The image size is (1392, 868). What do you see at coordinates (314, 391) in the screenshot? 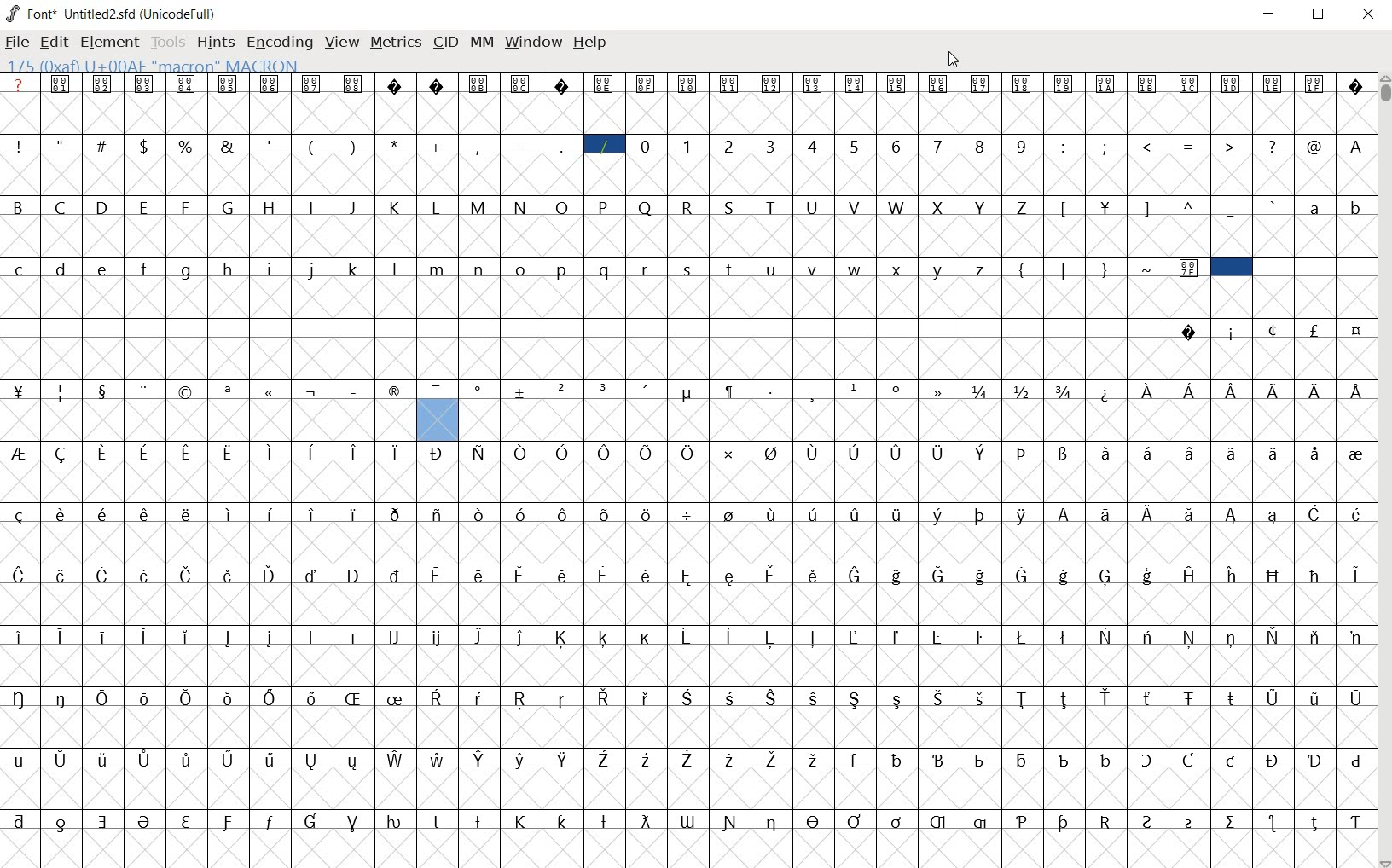
I see `Symbol` at bounding box center [314, 391].